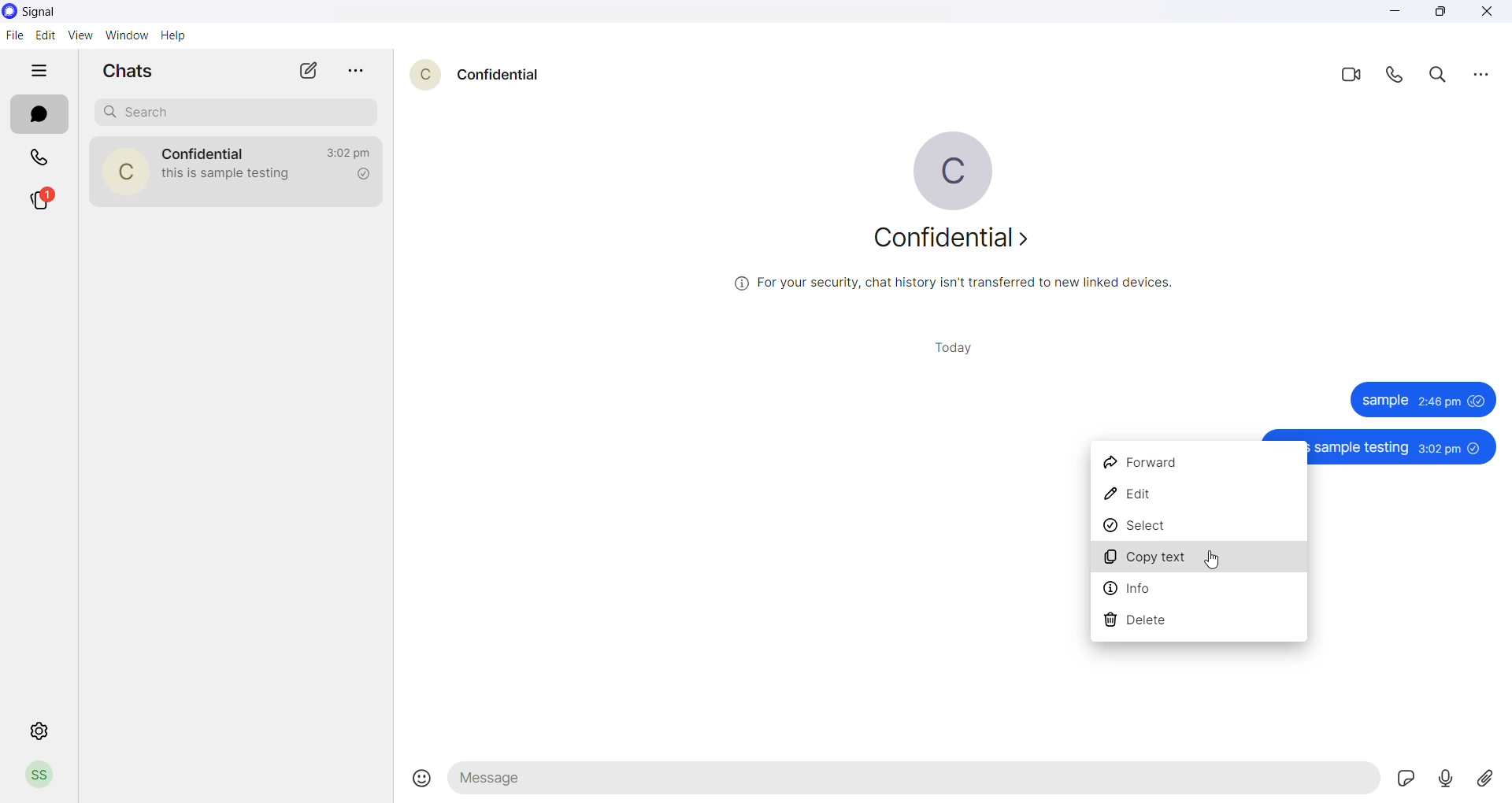 This screenshot has width=1512, height=803. Describe the element at coordinates (40, 157) in the screenshot. I see `calls` at that location.